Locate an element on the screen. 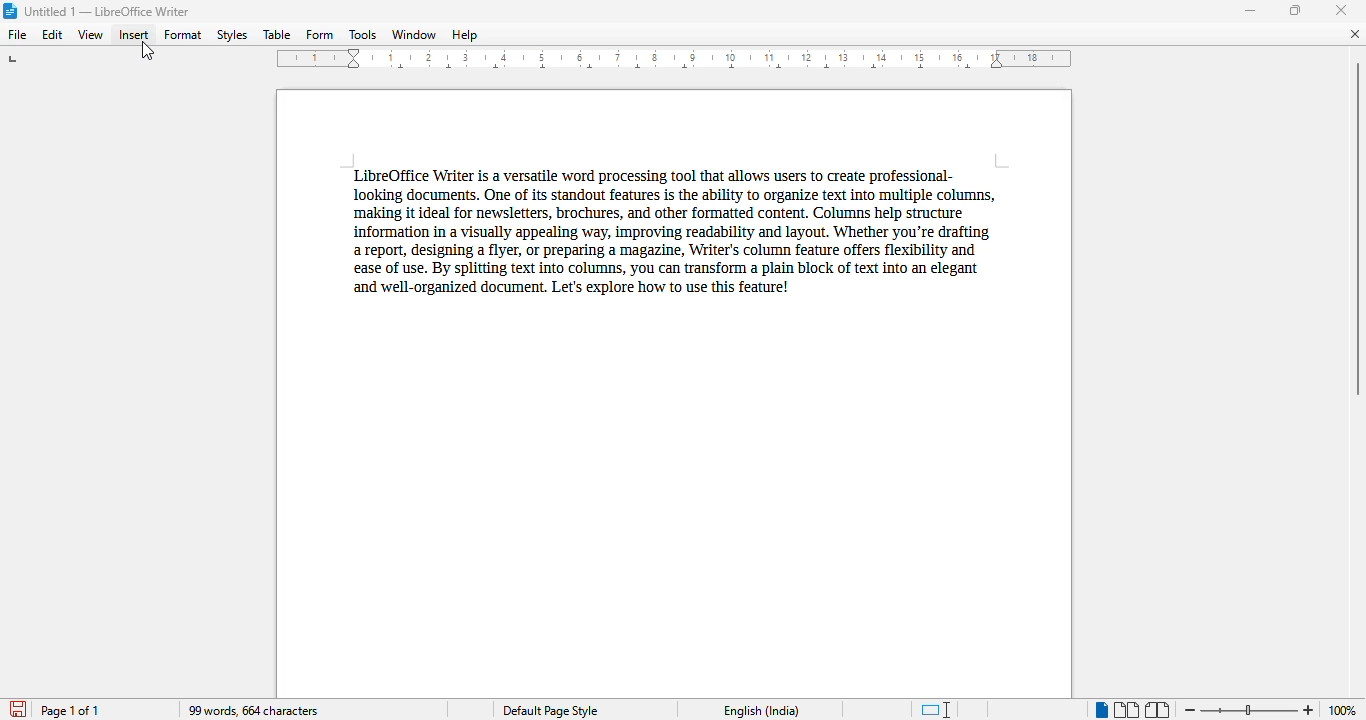  format is located at coordinates (183, 34).